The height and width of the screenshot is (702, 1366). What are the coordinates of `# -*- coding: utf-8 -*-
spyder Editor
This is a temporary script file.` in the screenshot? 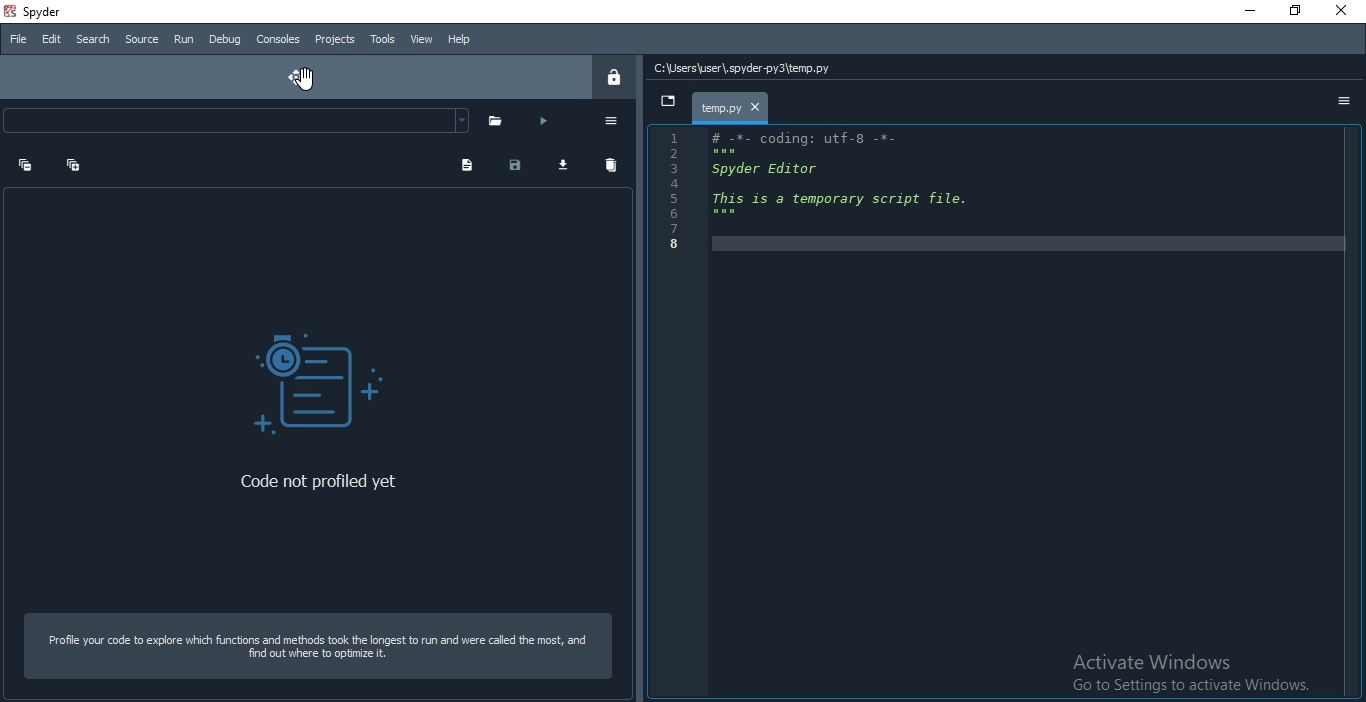 It's located at (857, 177).